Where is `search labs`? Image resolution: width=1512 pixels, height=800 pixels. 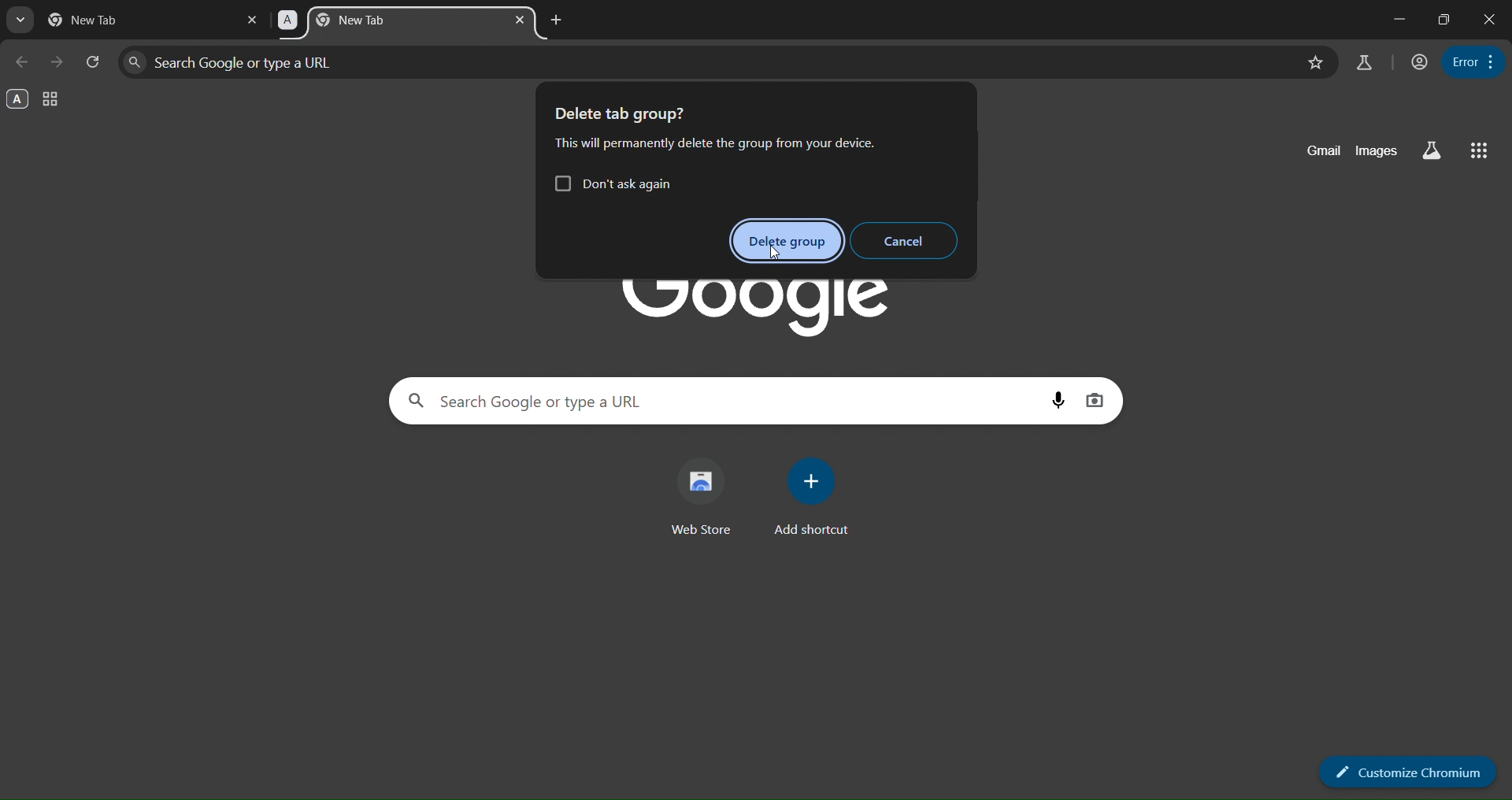 search labs is located at coordinates (1429, 151).